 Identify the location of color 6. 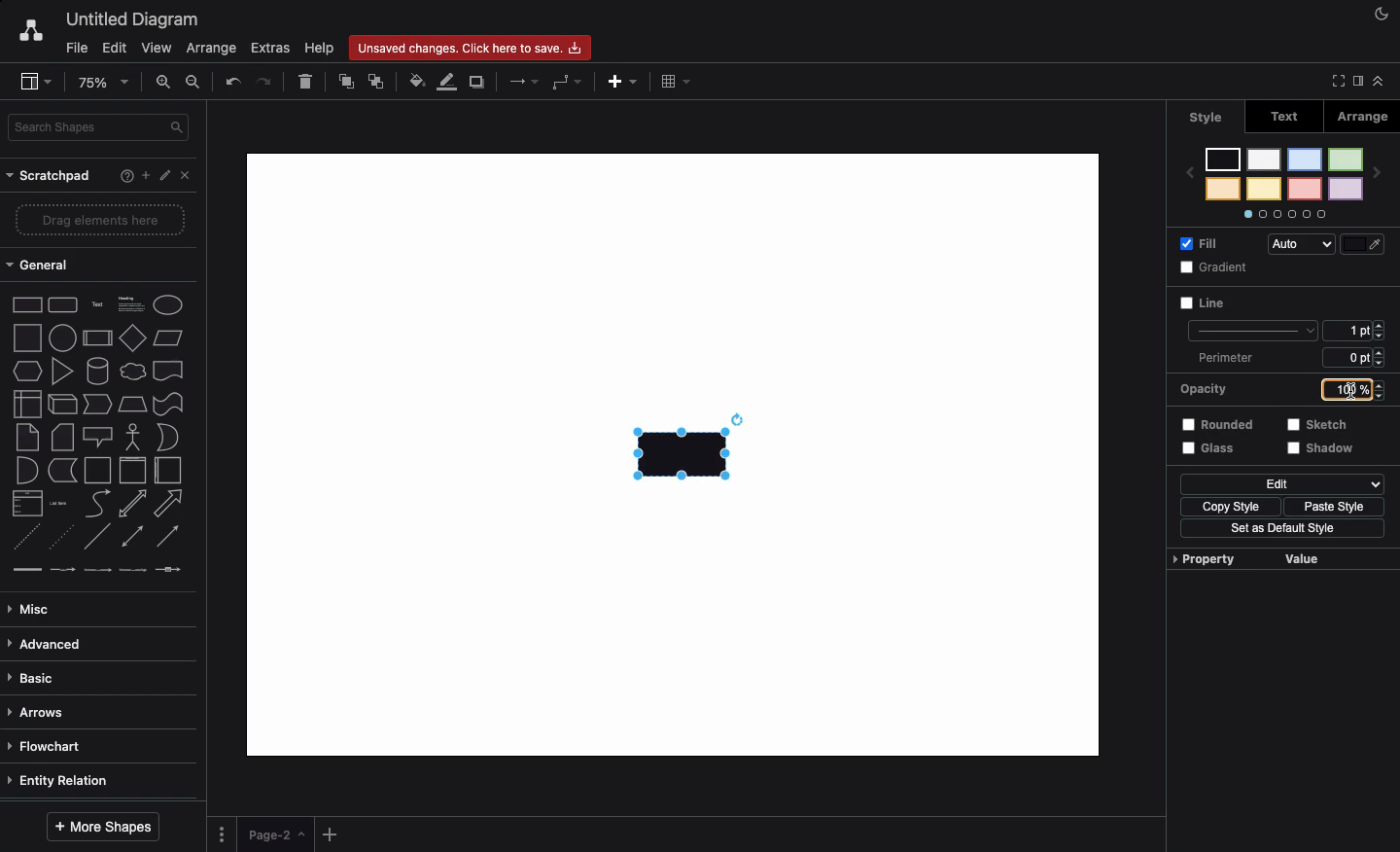
(1263, 190).